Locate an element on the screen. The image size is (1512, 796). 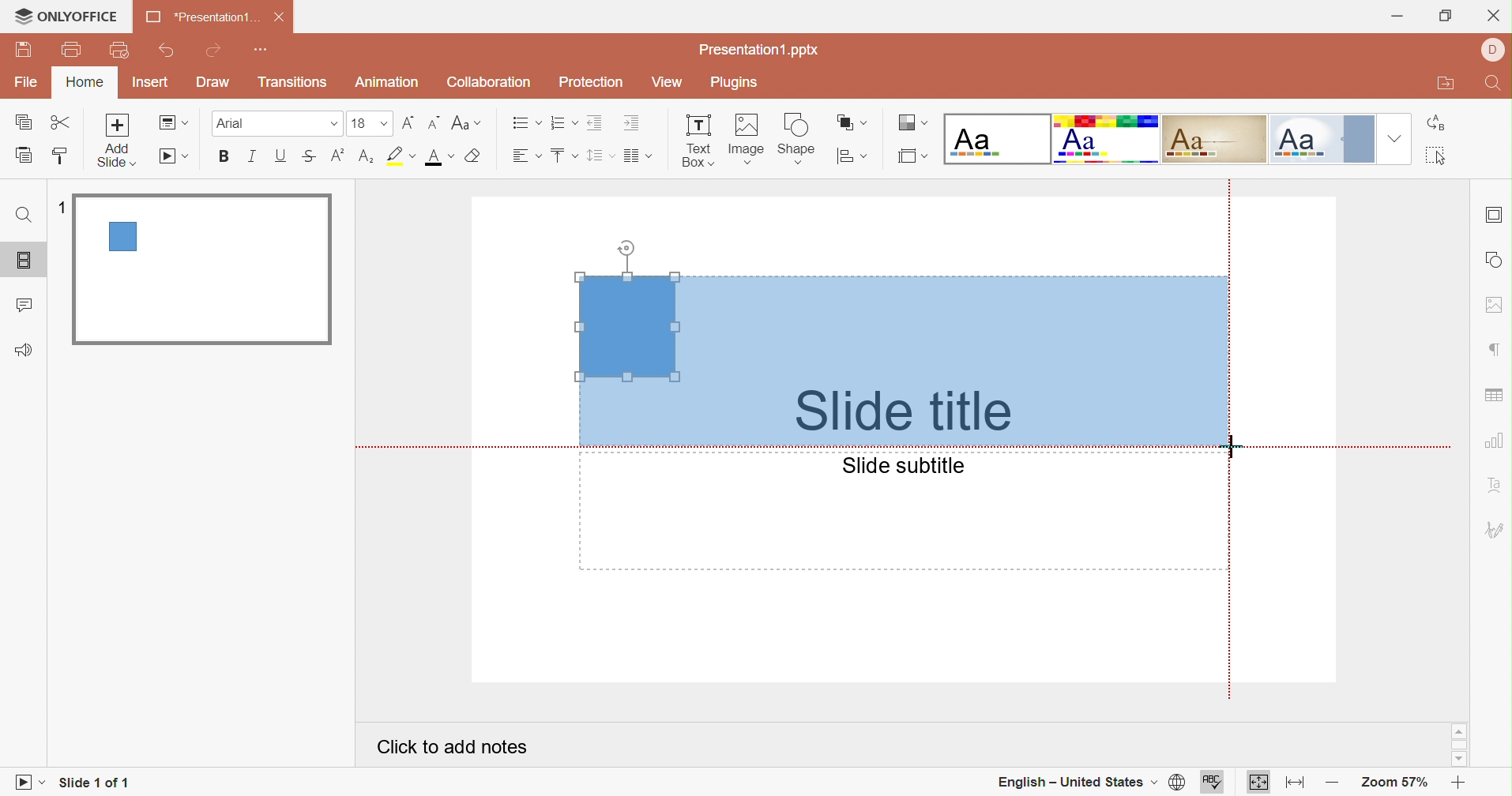
Zoom in is located at coordinates (1458, 785).